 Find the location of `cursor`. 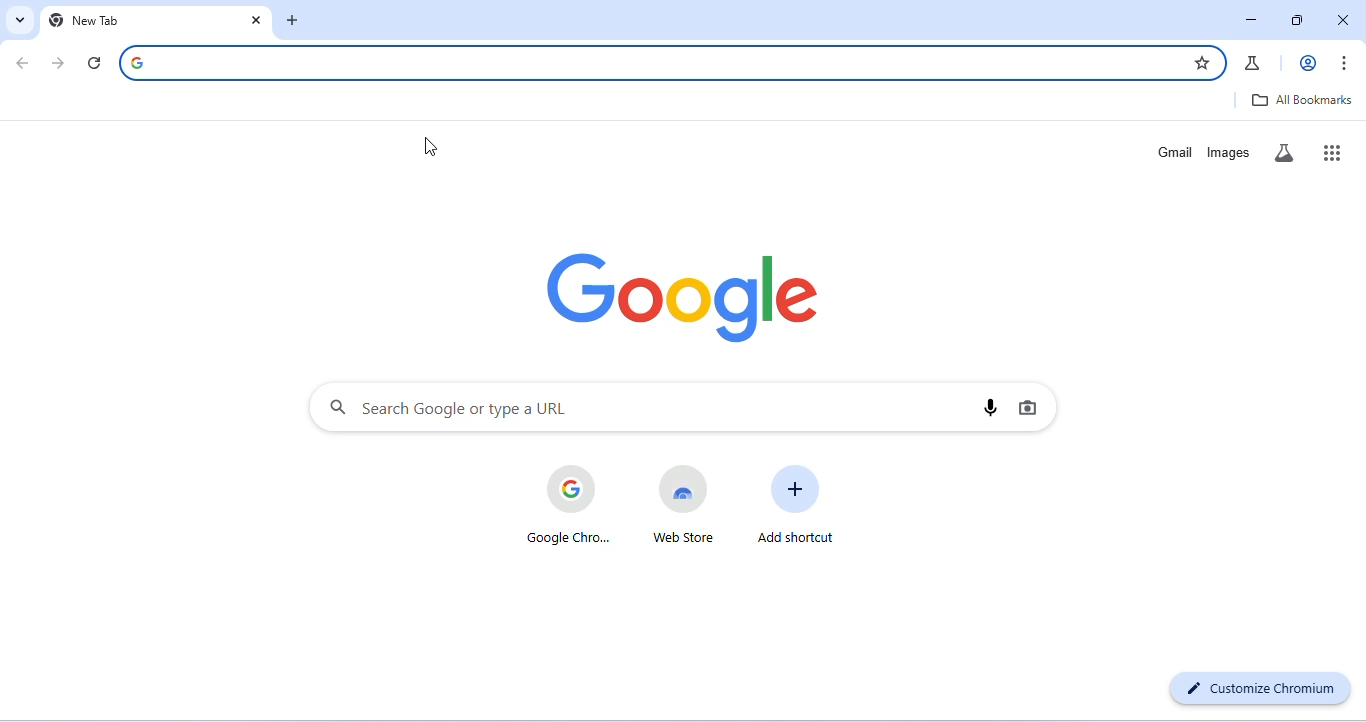

cursor is located at coordinates (430, 149).